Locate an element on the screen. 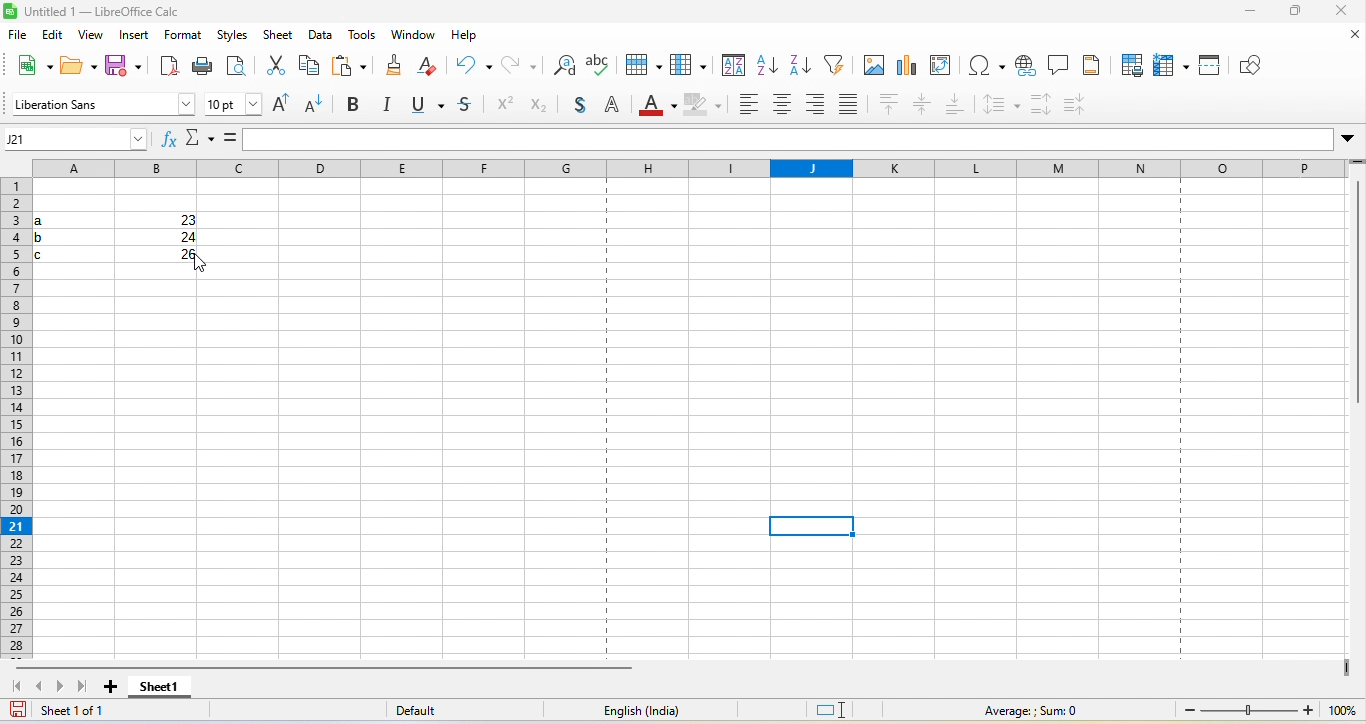 This screenshot has height=724, width=1366. center vertically is located at coordinates (922, 105).